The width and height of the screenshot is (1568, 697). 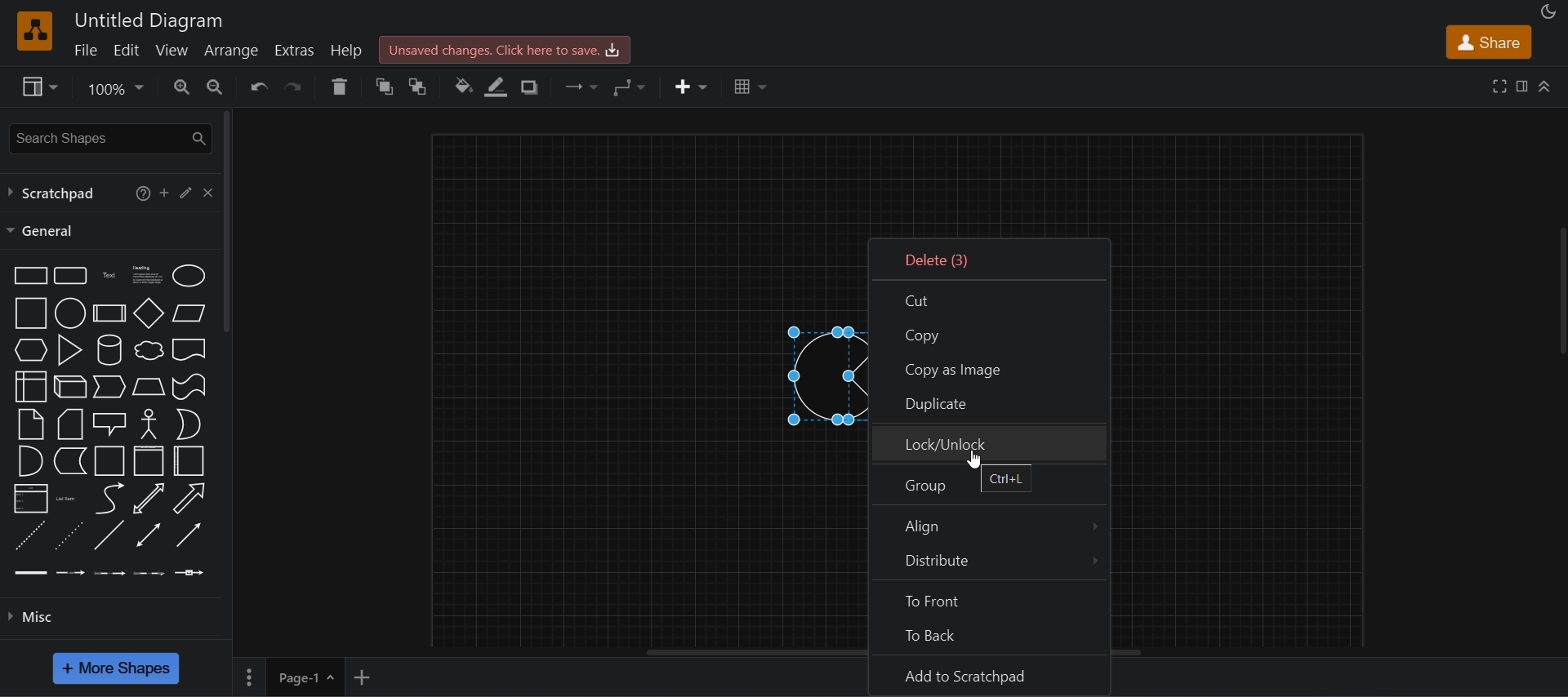 I want to click on internal storage, so click(x=29, y=387).